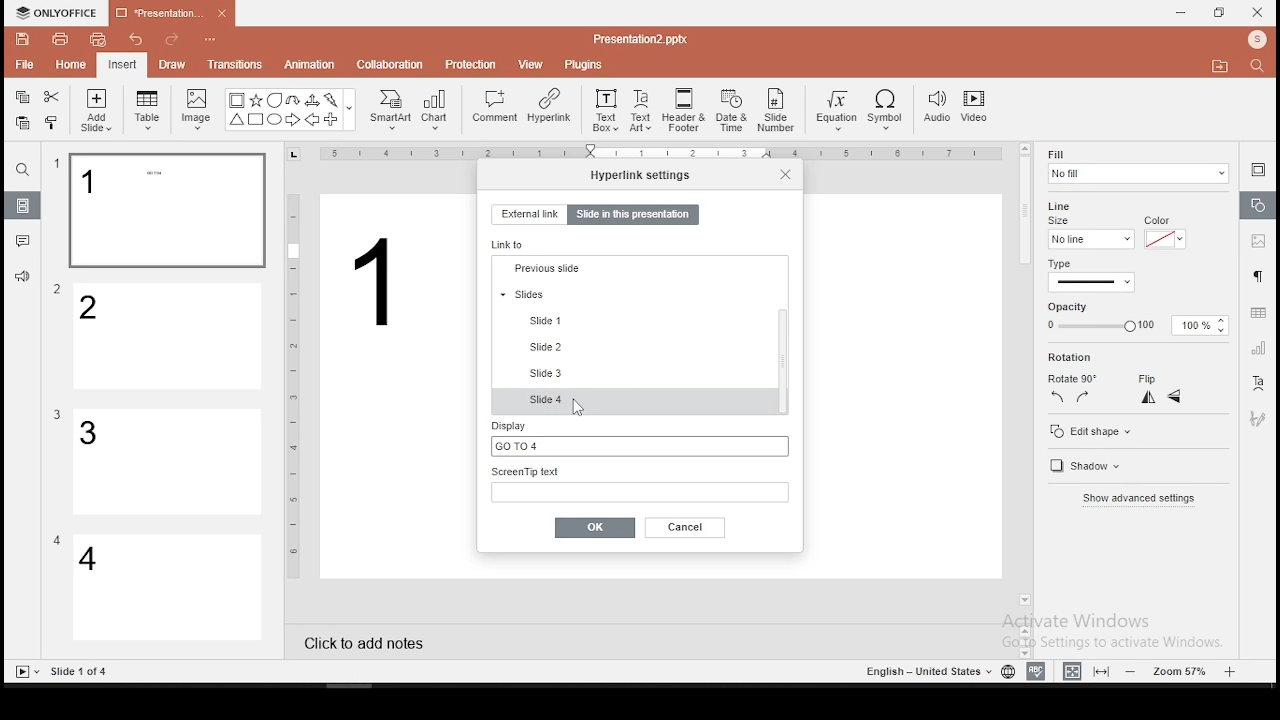  Describe the element at coordinates (604, 108) in the screenshot. I see `text box` at that location.